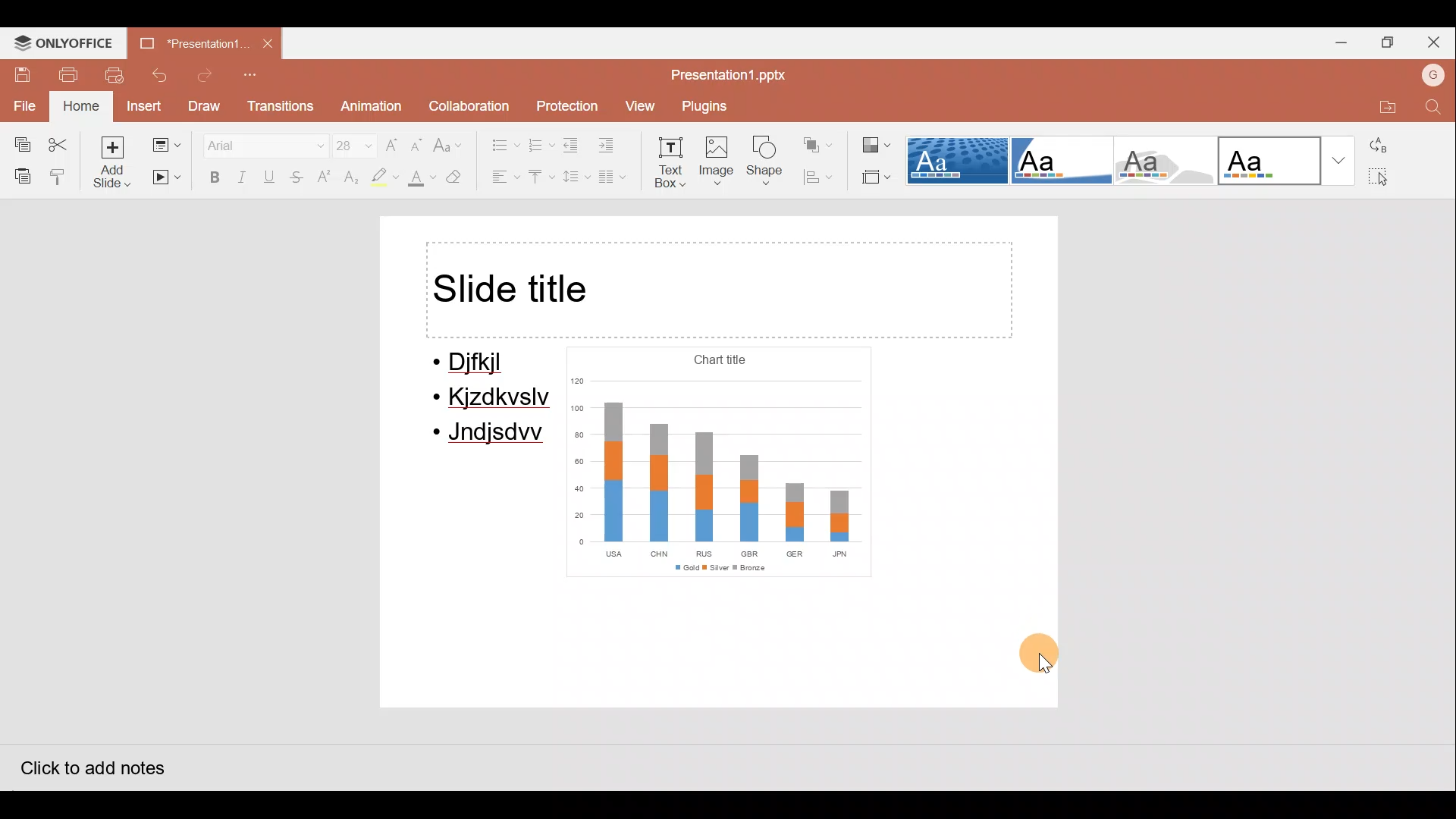 The width and height of the screenshot is (1456, 819). I want to click on Change slide layout, so click(168, 146).